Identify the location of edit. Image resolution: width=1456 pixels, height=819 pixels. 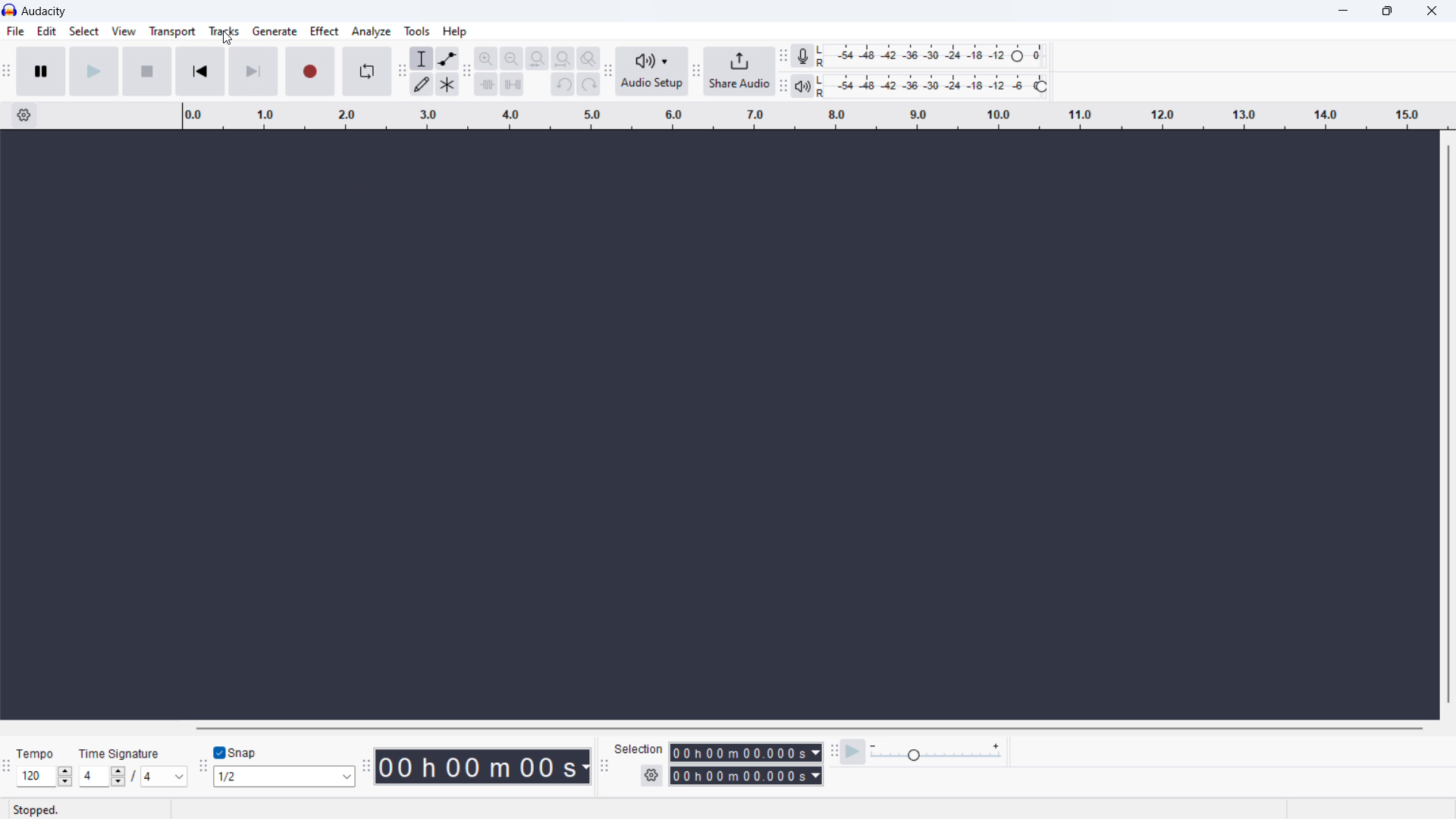
(47, 32).